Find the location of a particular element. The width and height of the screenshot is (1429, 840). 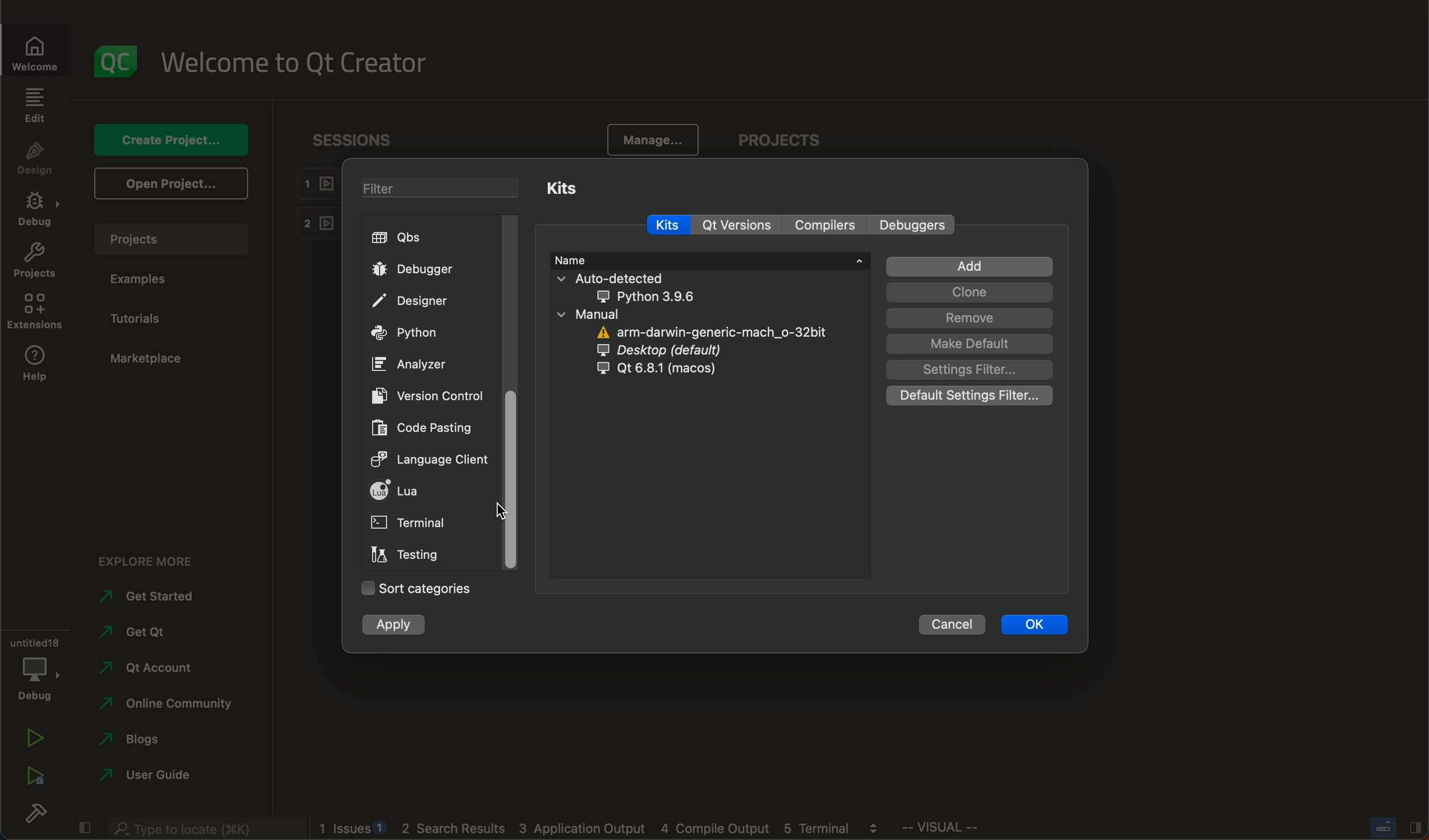

code is located at coordinates (424, 429).